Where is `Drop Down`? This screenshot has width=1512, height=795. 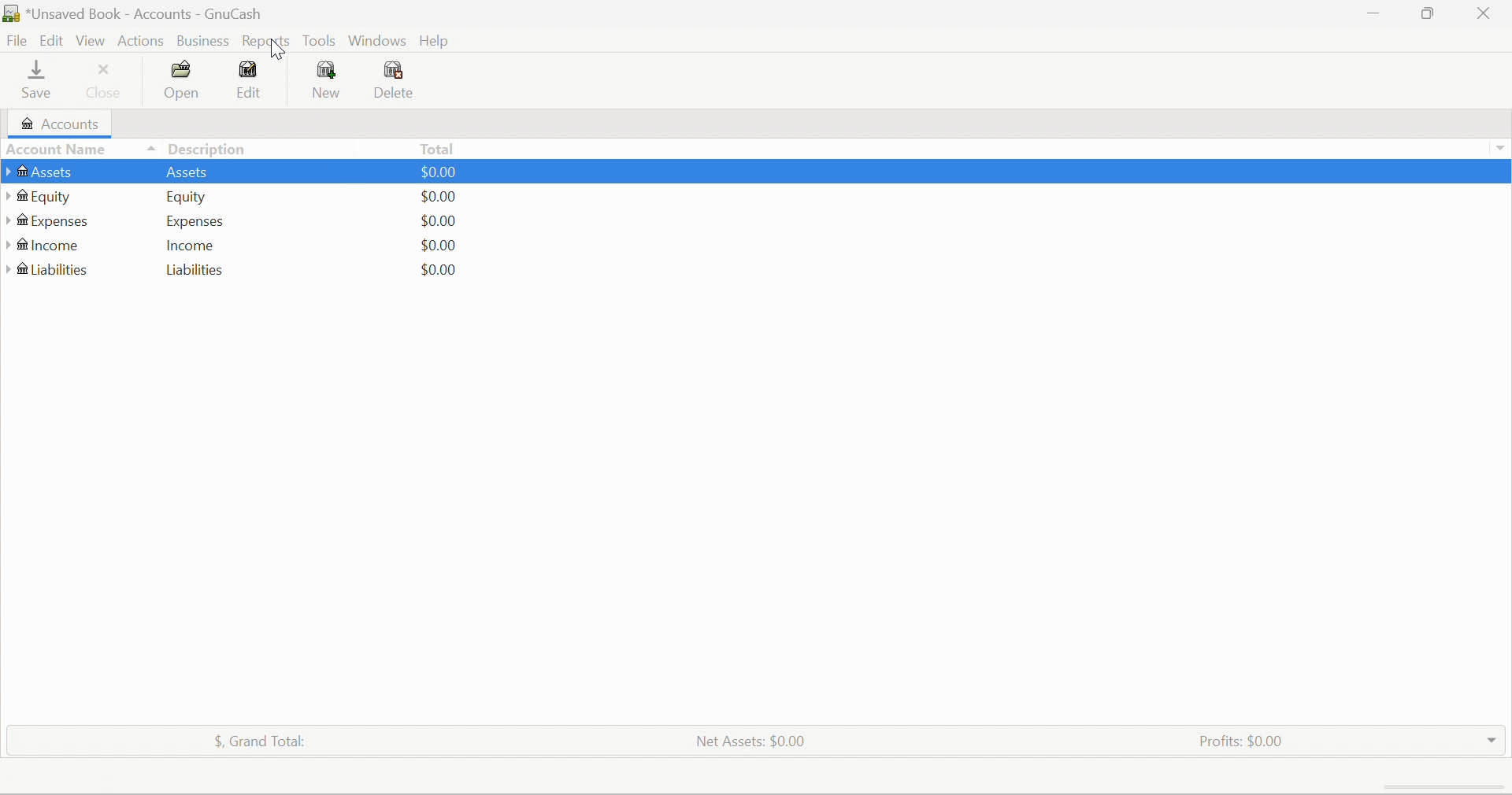
Drop Down is located at coordinates (1491, 740).